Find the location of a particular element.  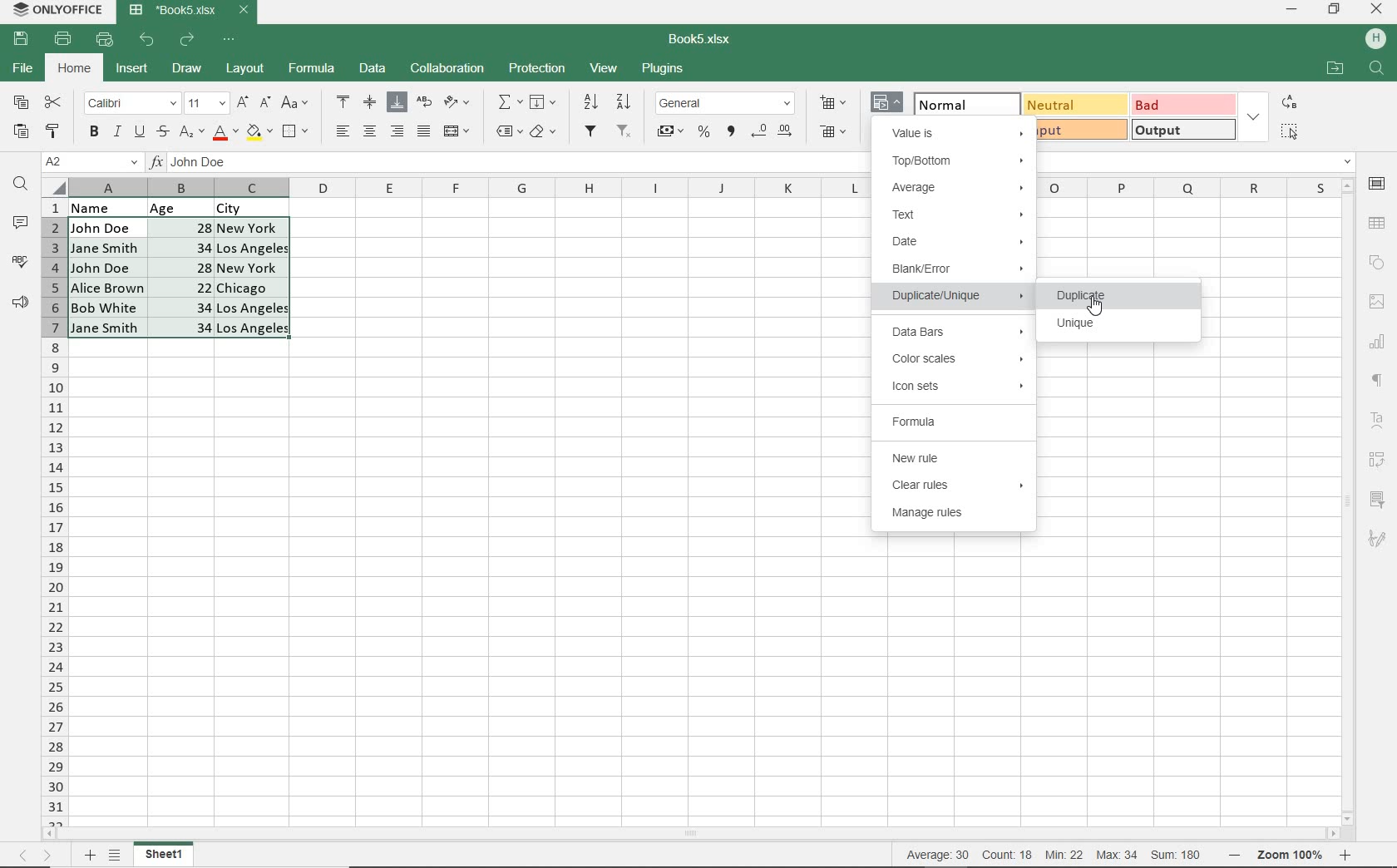

SLICER is located at coordinates (1379, 501).